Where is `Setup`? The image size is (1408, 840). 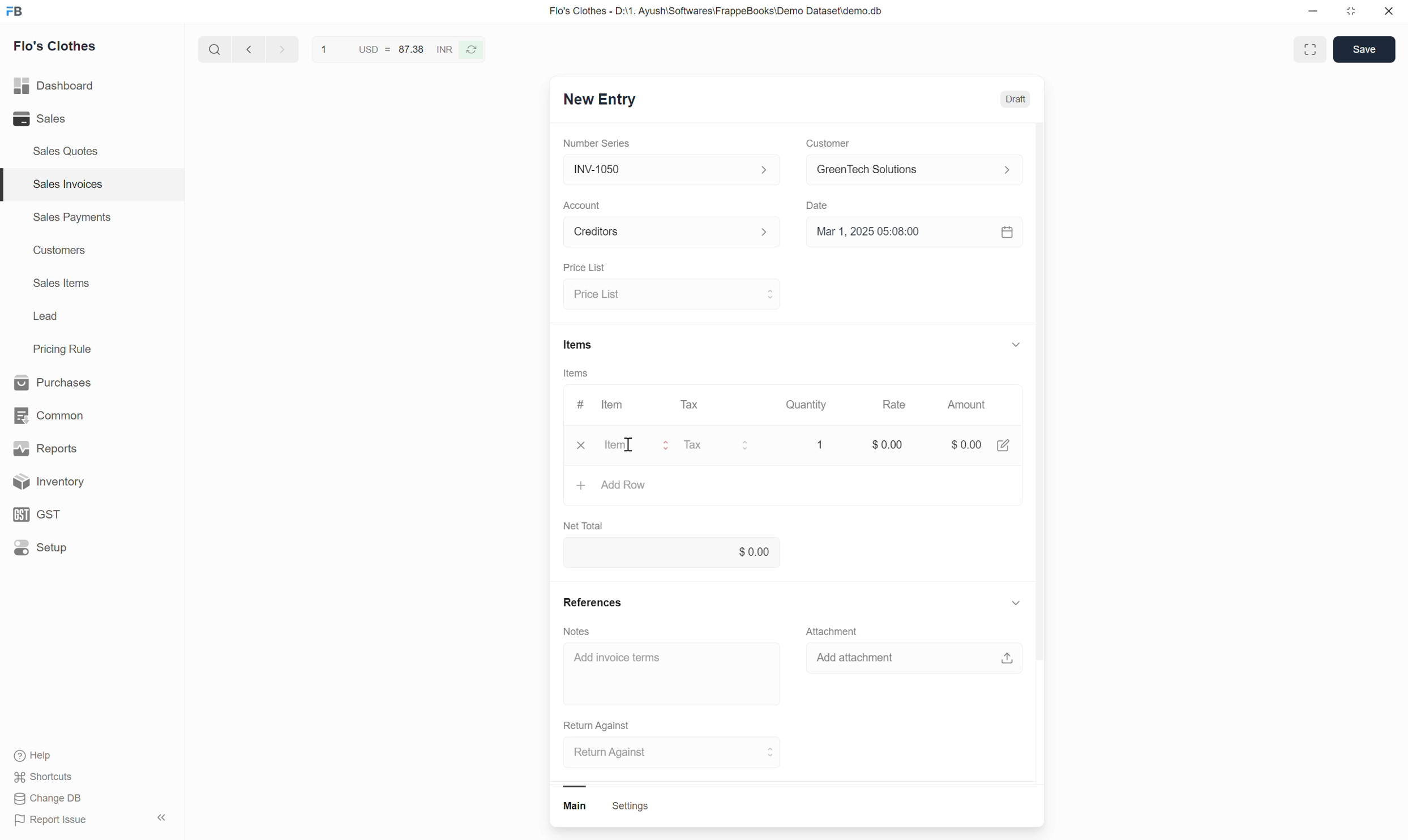 Setup is located at coordinates (82, 551).